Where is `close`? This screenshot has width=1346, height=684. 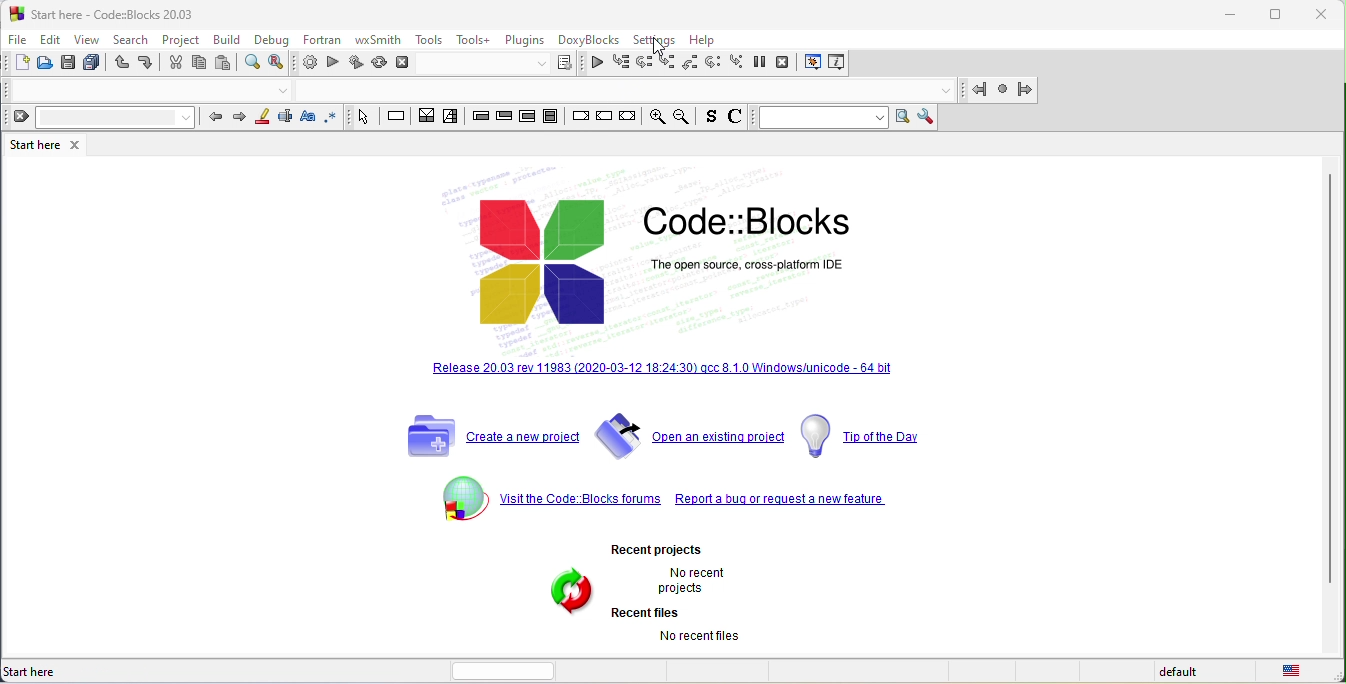
close is located at coordinates (1325, 15).